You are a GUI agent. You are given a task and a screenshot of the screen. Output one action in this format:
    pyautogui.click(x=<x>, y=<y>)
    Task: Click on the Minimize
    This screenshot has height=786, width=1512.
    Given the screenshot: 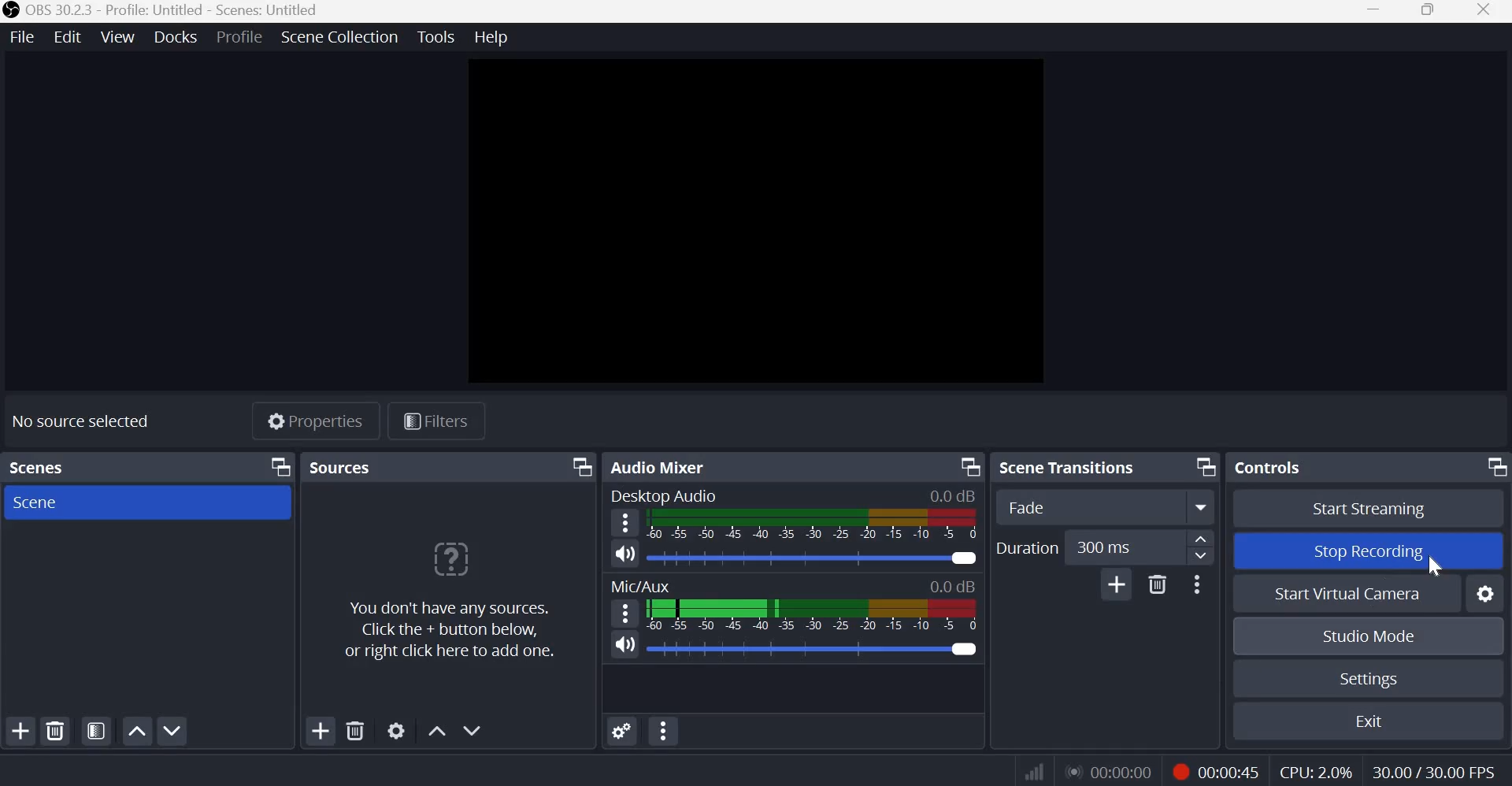 What is the action you would take?
    pyautogui.click(x=1373, y=11)
    